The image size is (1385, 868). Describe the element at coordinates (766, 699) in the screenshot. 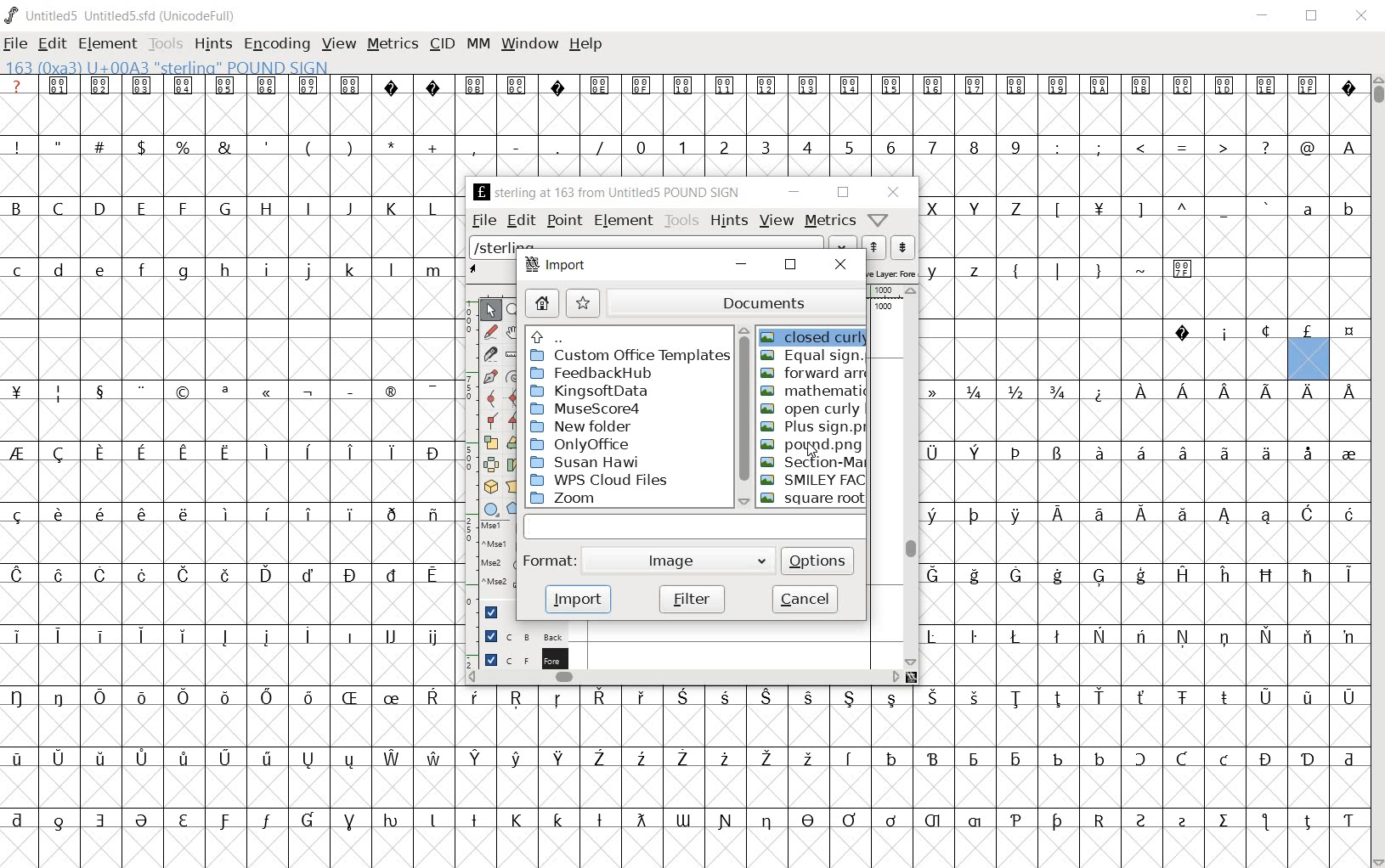

I see `Symbol` at that location.